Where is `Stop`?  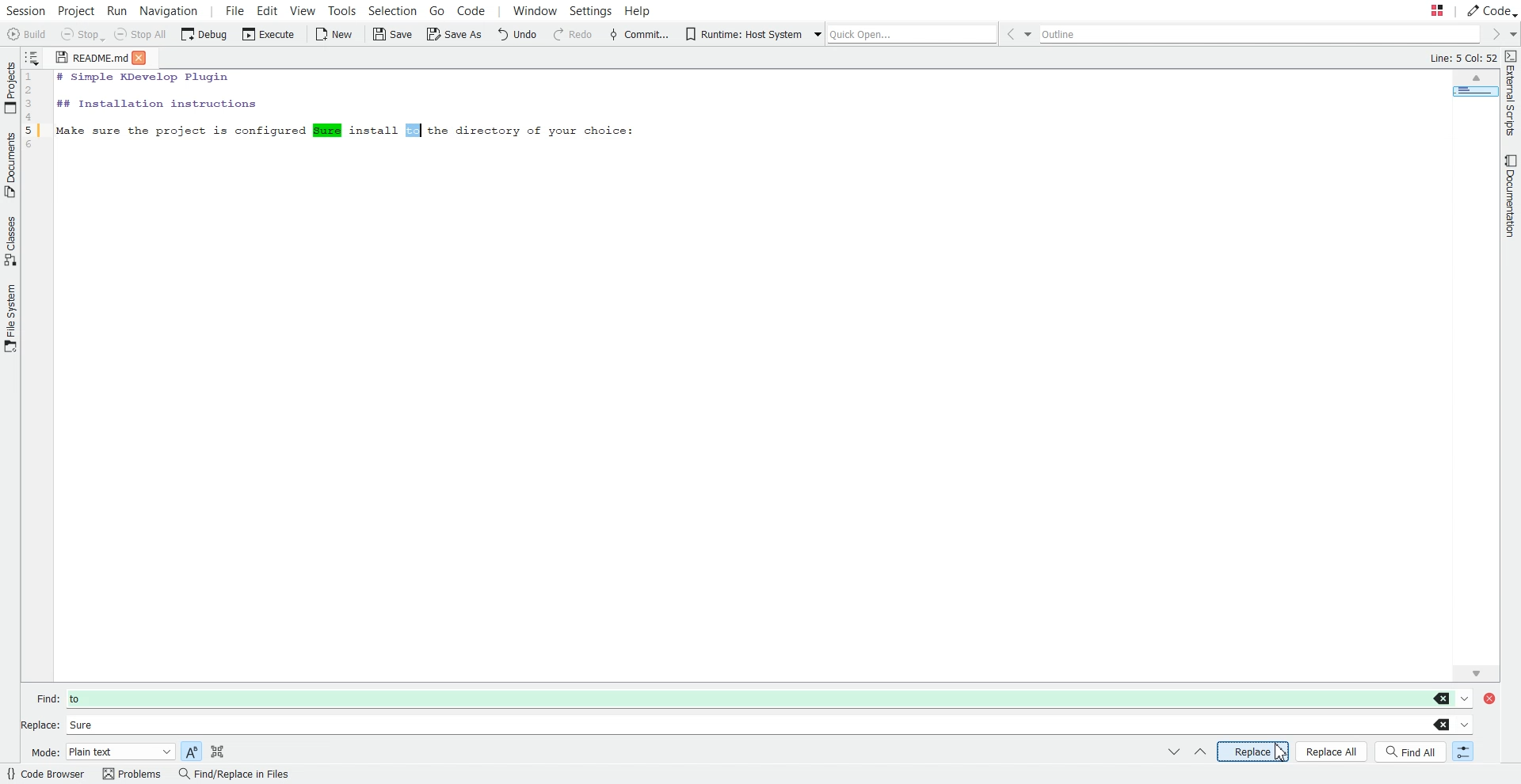
Stop is located at coordinates (82, 36).